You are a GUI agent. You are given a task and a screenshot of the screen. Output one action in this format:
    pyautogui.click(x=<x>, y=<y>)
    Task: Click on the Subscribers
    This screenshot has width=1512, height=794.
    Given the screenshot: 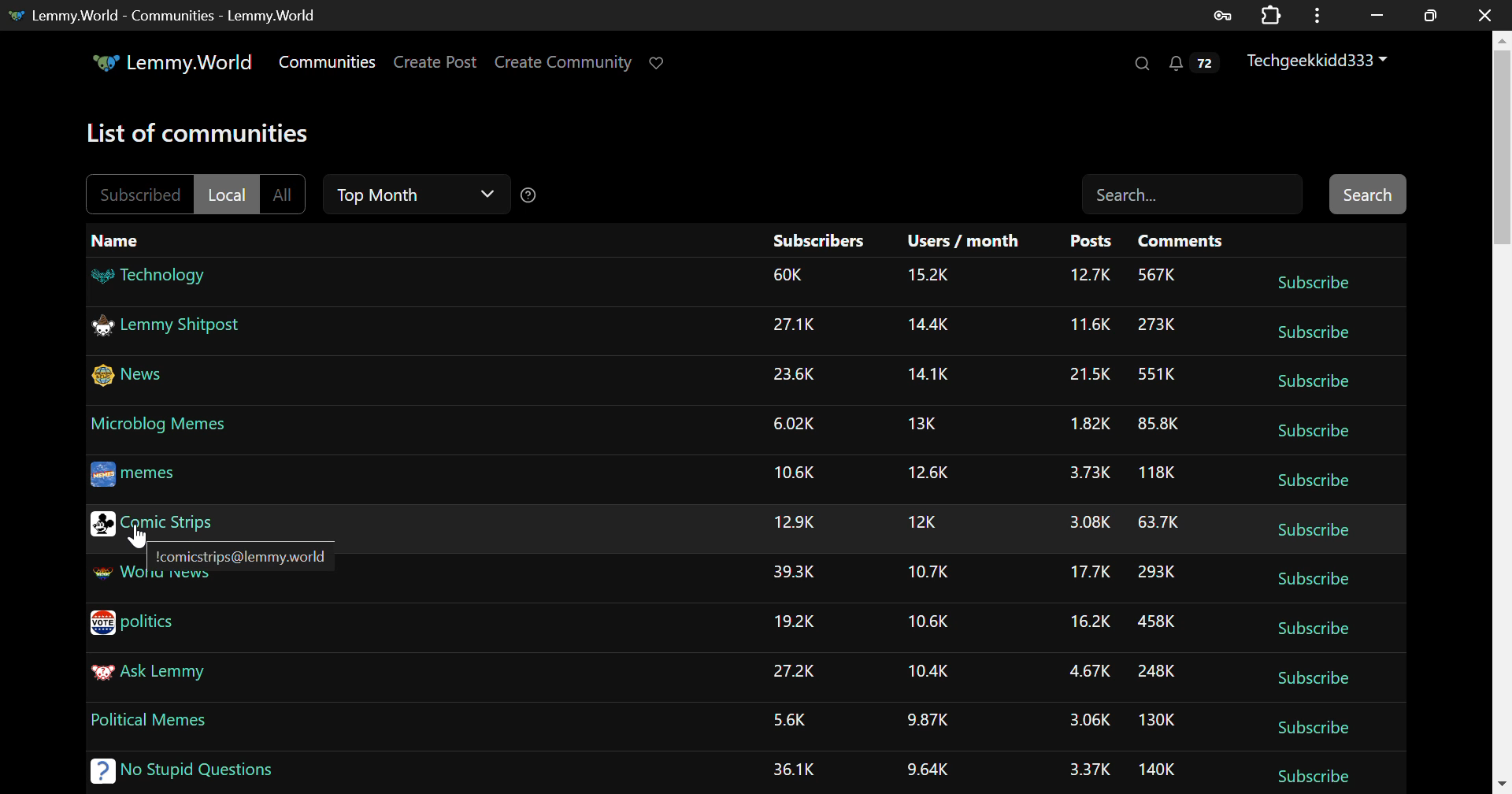 What is the action you would take?
    pyautogui.click(x=817, y=242)
    